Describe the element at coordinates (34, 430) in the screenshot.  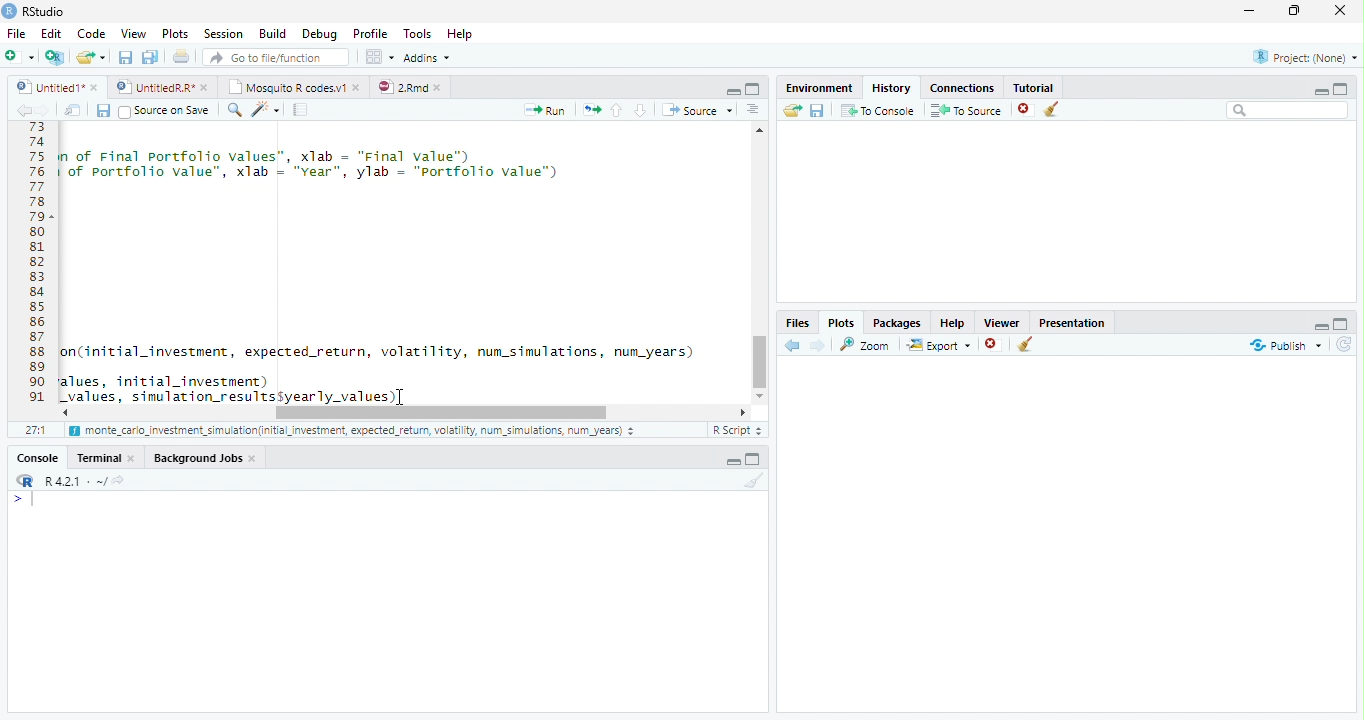
I see `1:1` at that location.